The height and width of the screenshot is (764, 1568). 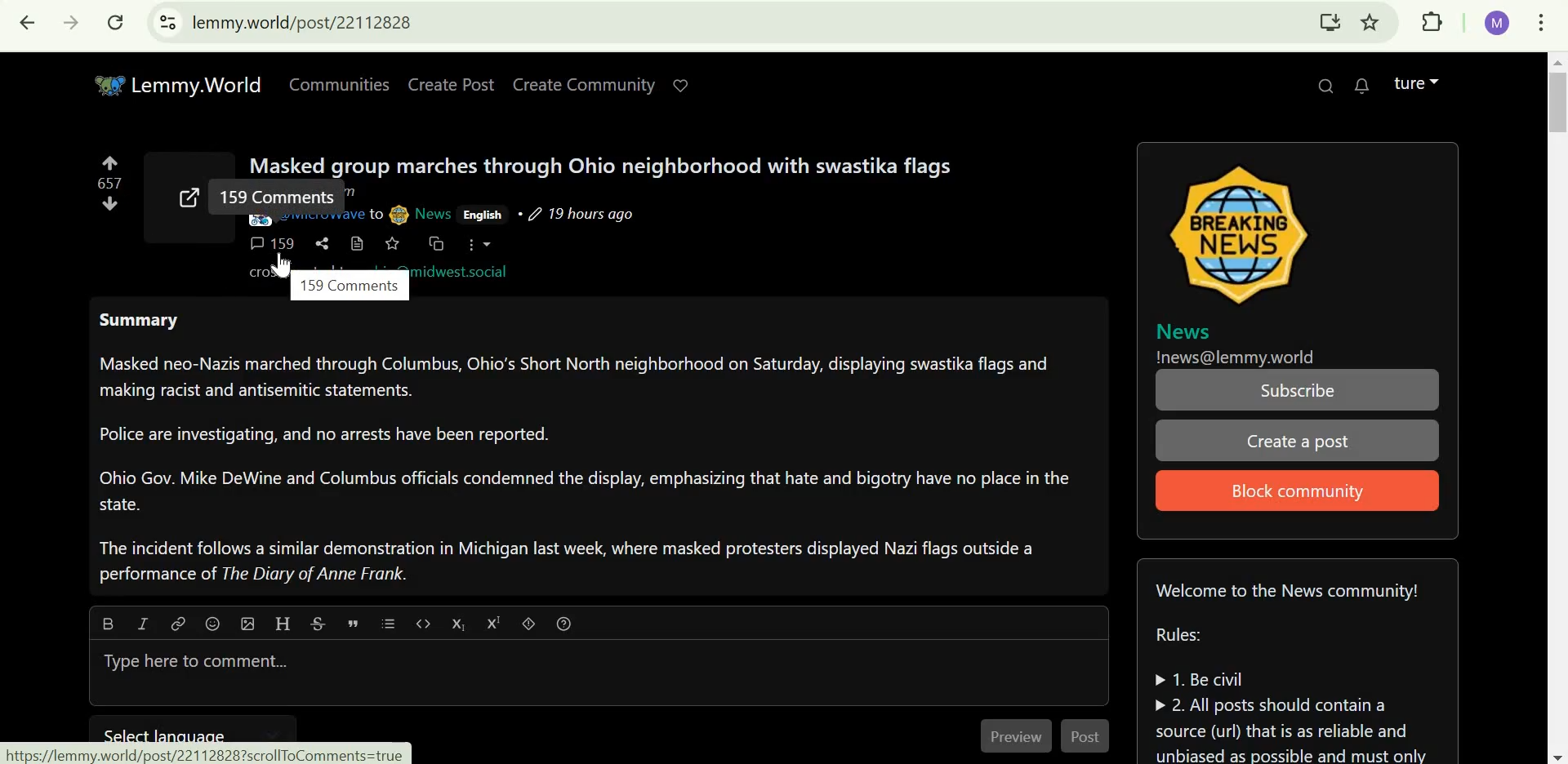 I want to click on Block community, so click(x=1294, y=491).